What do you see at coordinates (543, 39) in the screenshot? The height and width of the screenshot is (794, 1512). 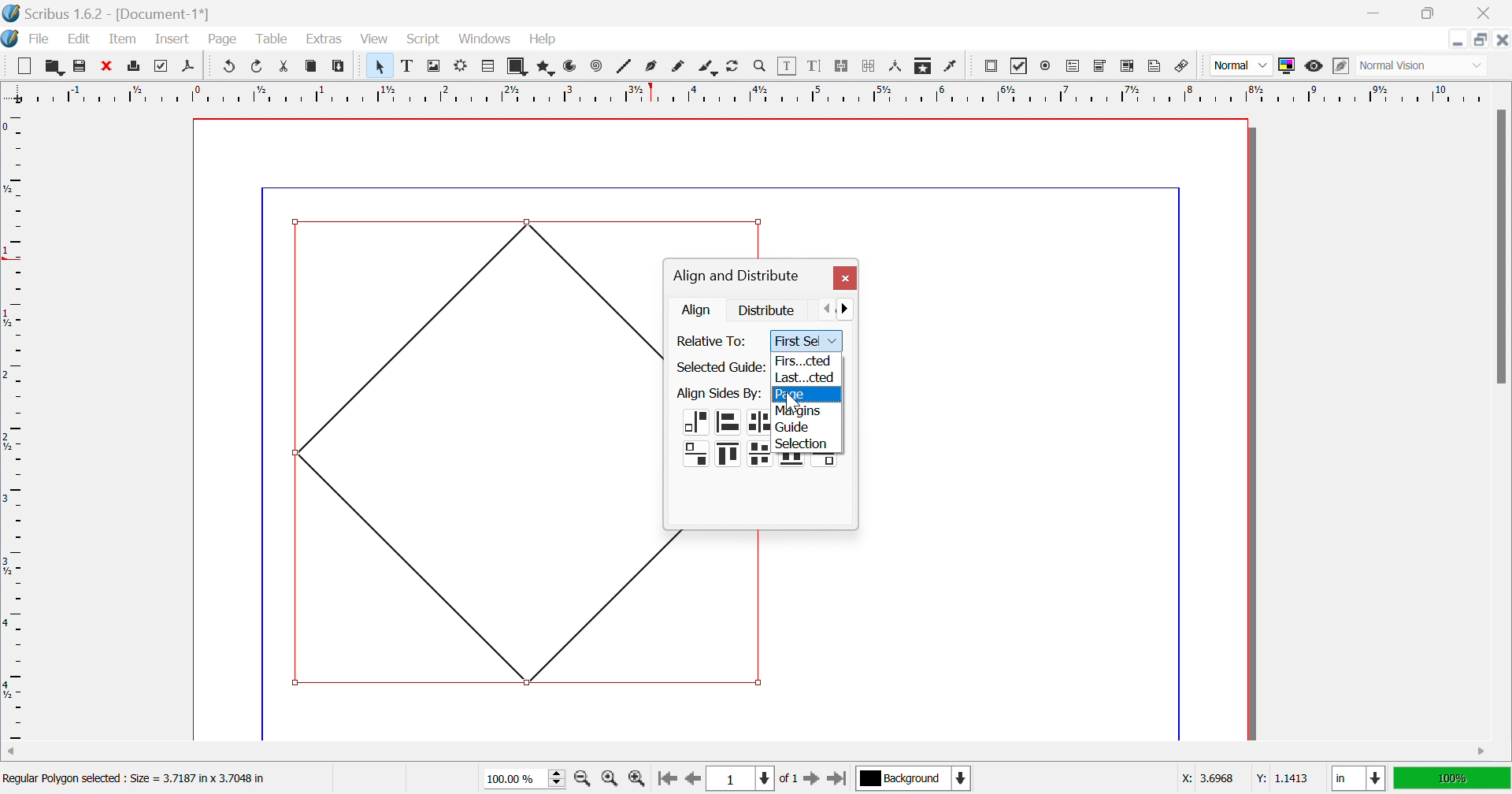 I see `Help` at bounding box center [543, 39].